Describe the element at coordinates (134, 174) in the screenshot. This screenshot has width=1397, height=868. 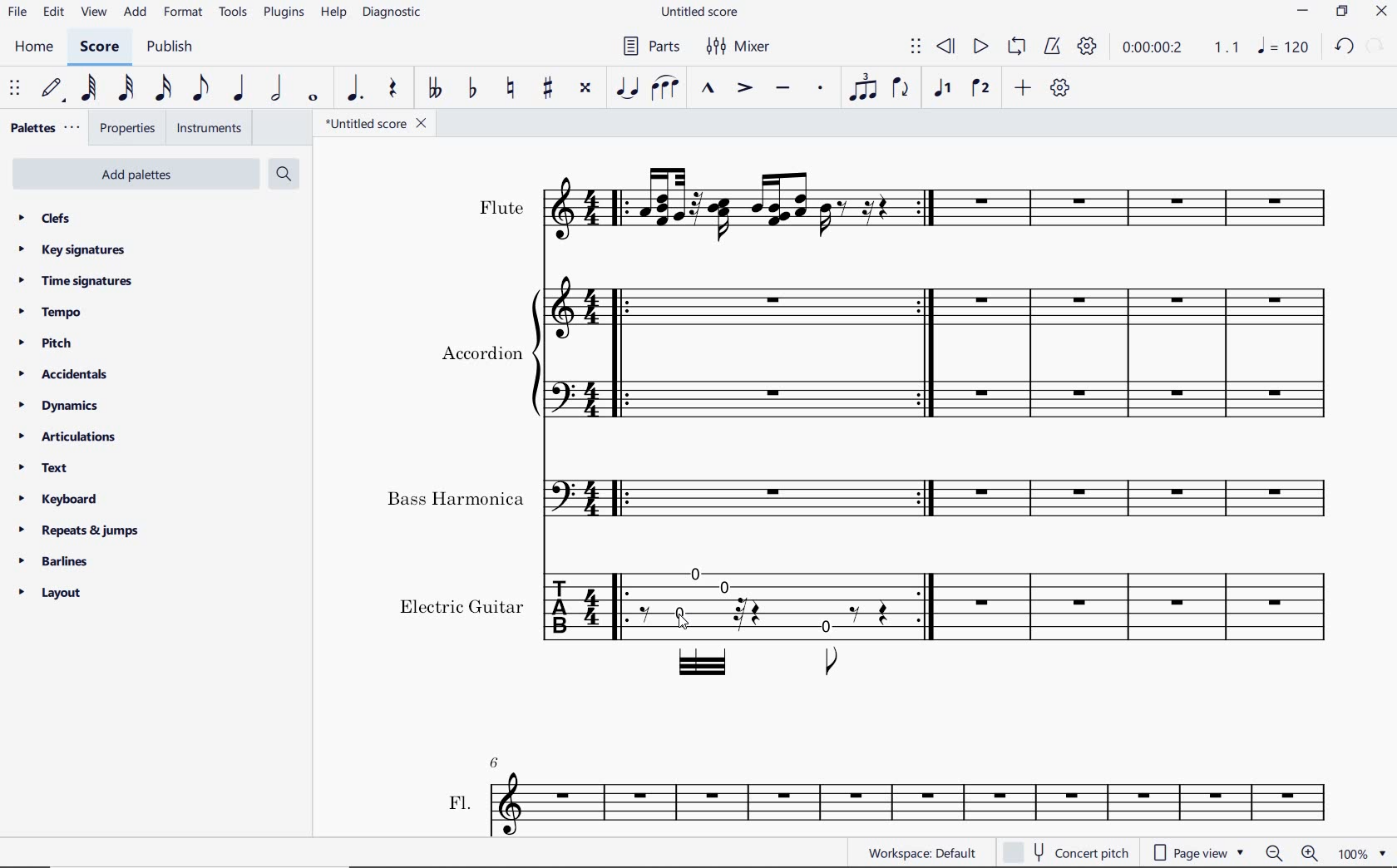
I see `add palettes` at that location.